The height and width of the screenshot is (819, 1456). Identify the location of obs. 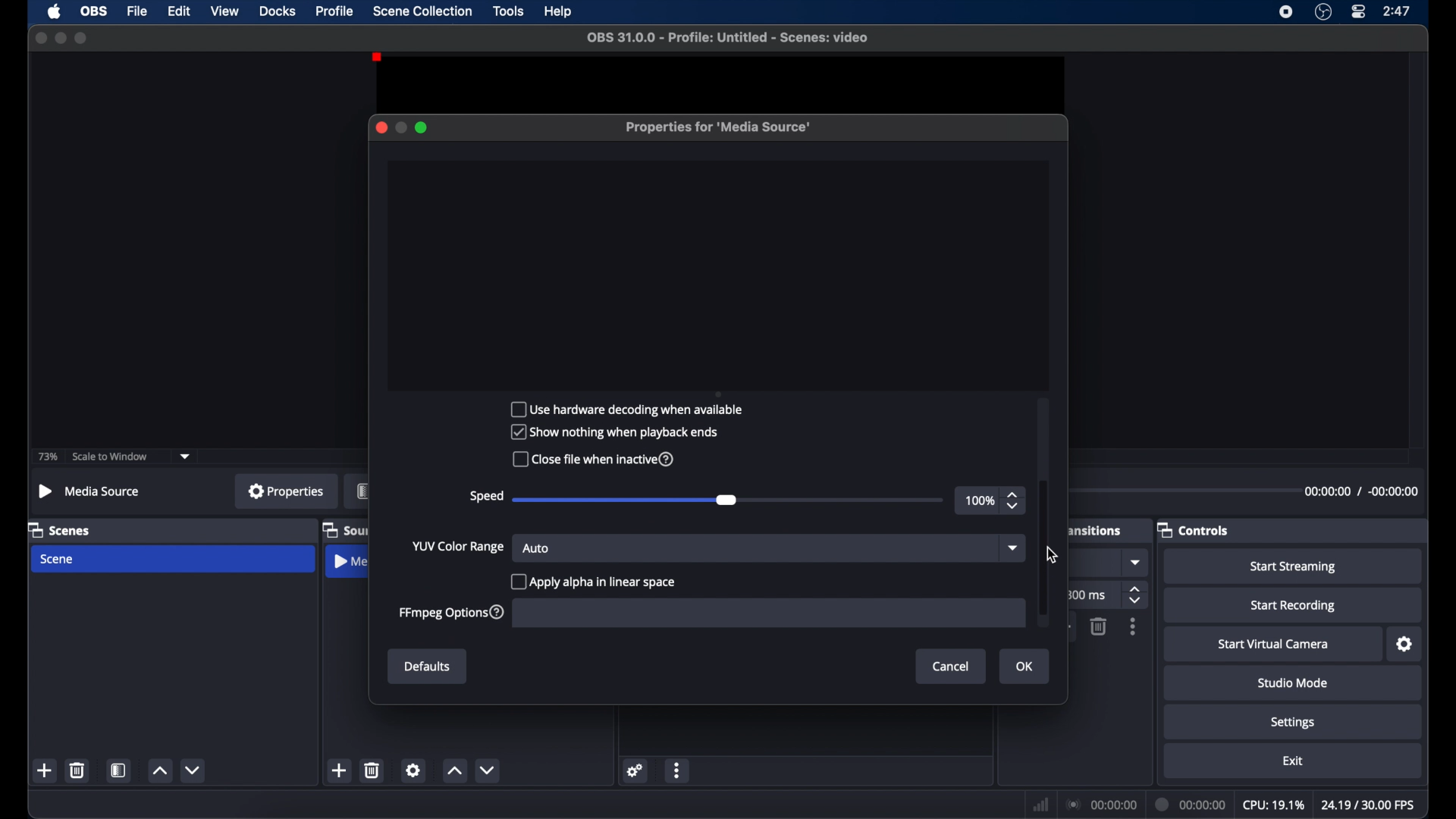
(94, 11).